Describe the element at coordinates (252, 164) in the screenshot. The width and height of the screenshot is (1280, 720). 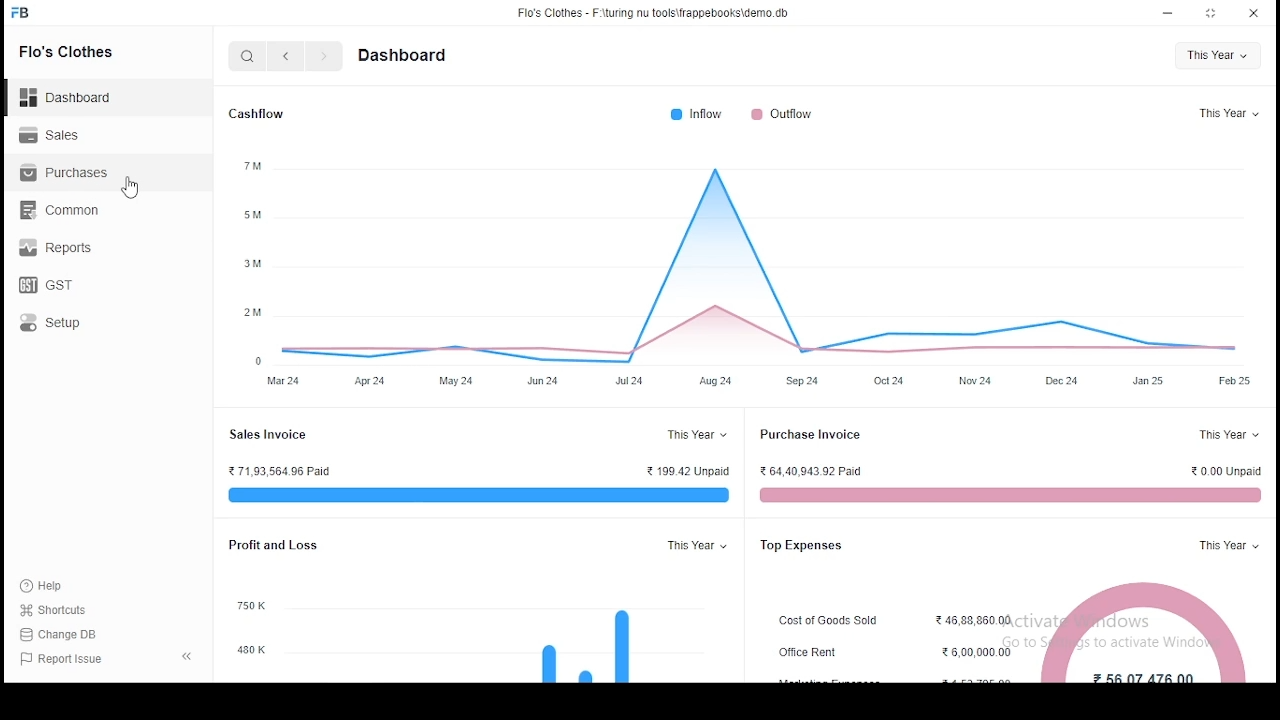
I see `7m` at that location.